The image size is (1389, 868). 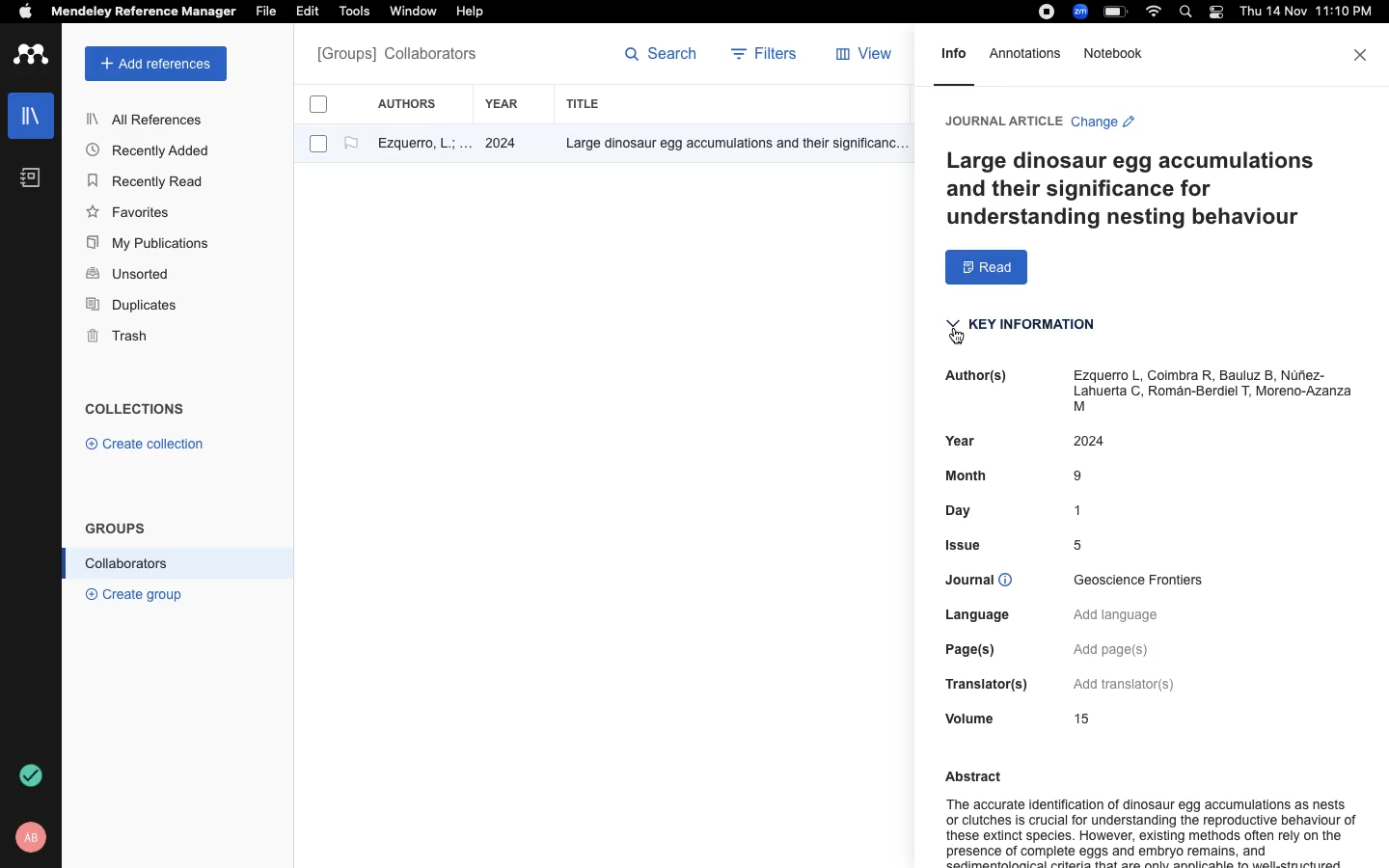 I want to click on Change , so click(x=1103, y=124).